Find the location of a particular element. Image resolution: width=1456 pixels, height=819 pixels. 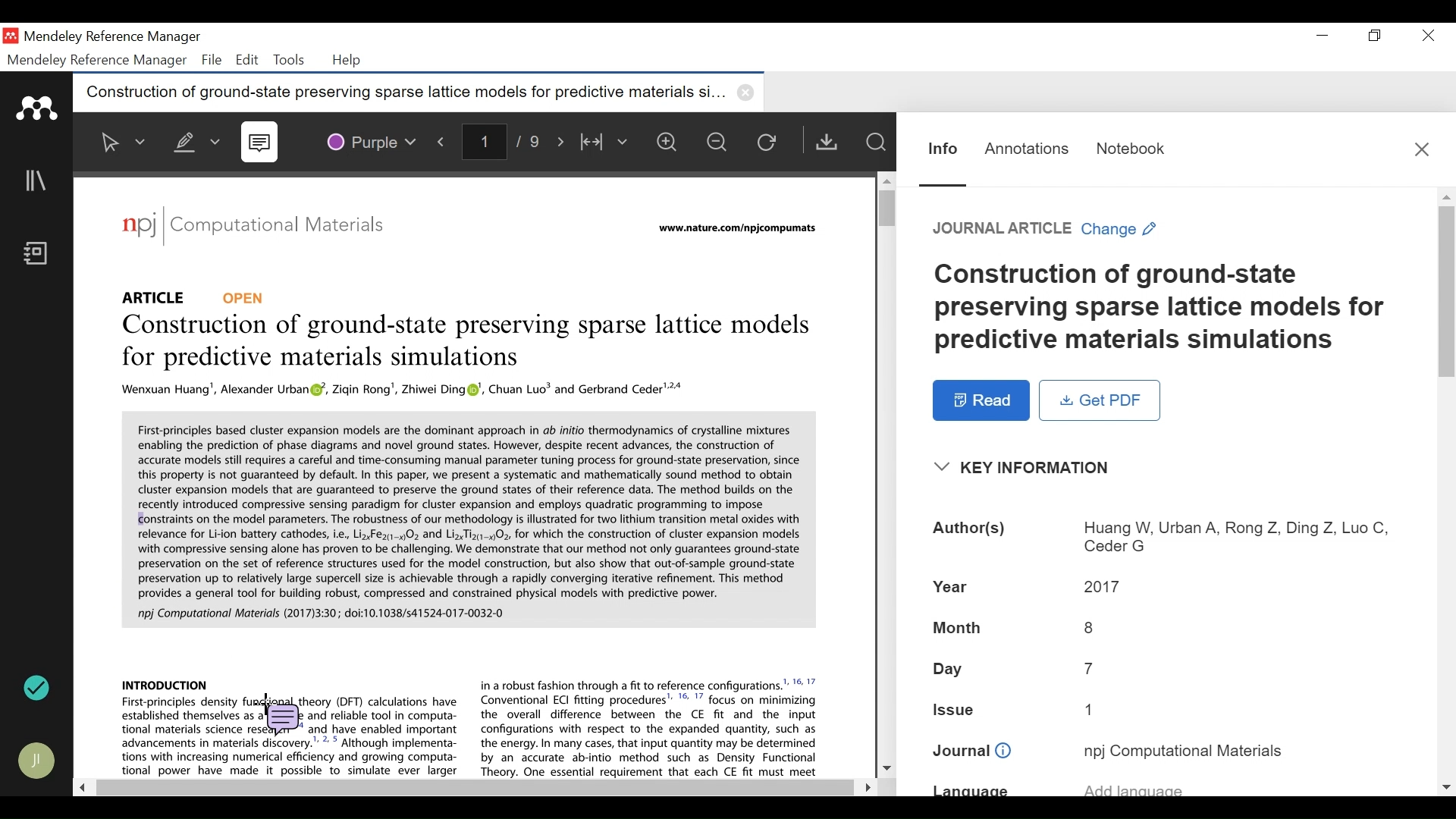

Vertical Scroll bar is located at coordinates (884, 209).